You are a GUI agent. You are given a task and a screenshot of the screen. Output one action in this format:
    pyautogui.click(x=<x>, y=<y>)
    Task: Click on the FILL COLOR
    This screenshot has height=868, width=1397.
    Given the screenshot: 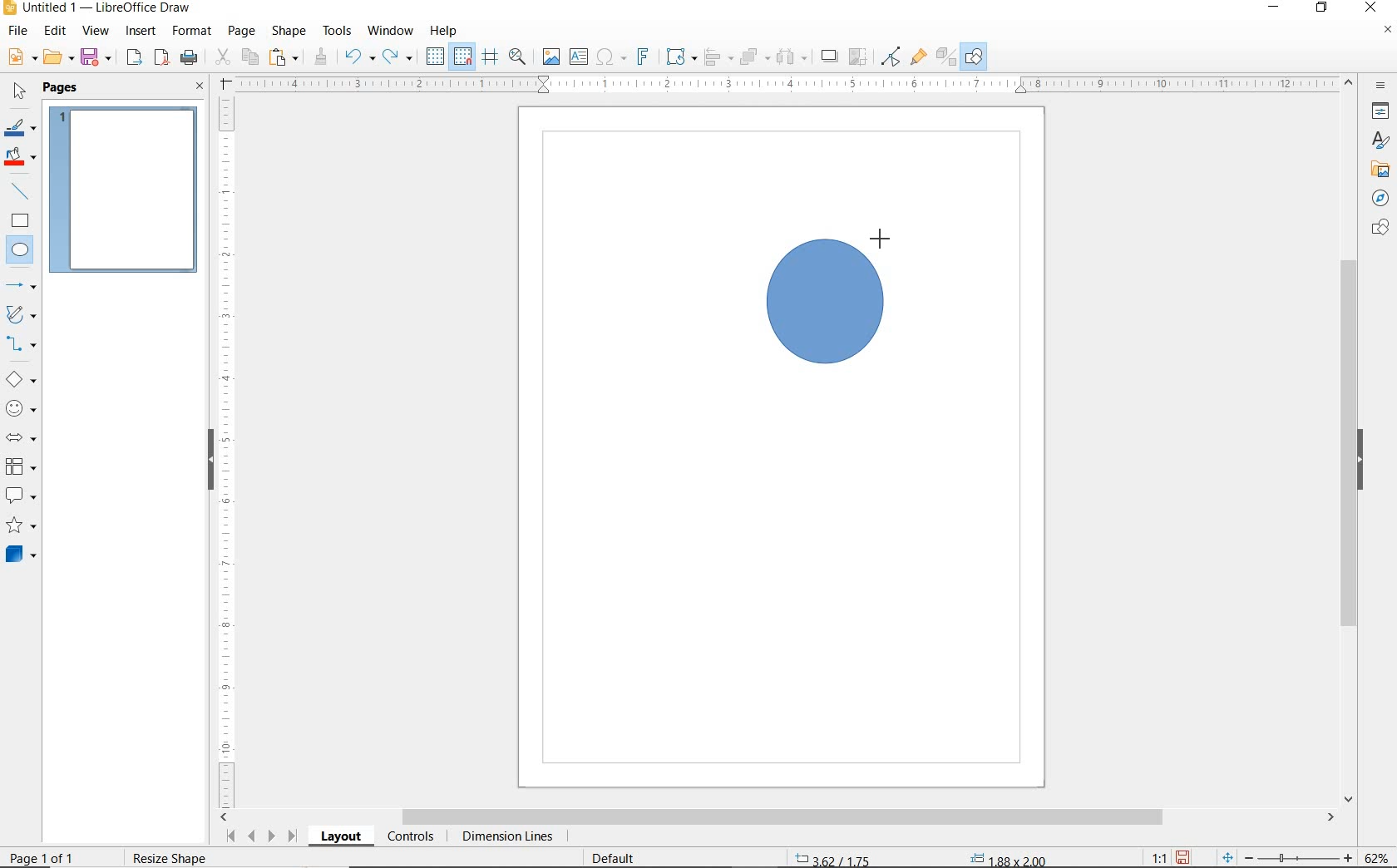 What is the action you would take?
    pyautogui.click(x=22, y=158)
    